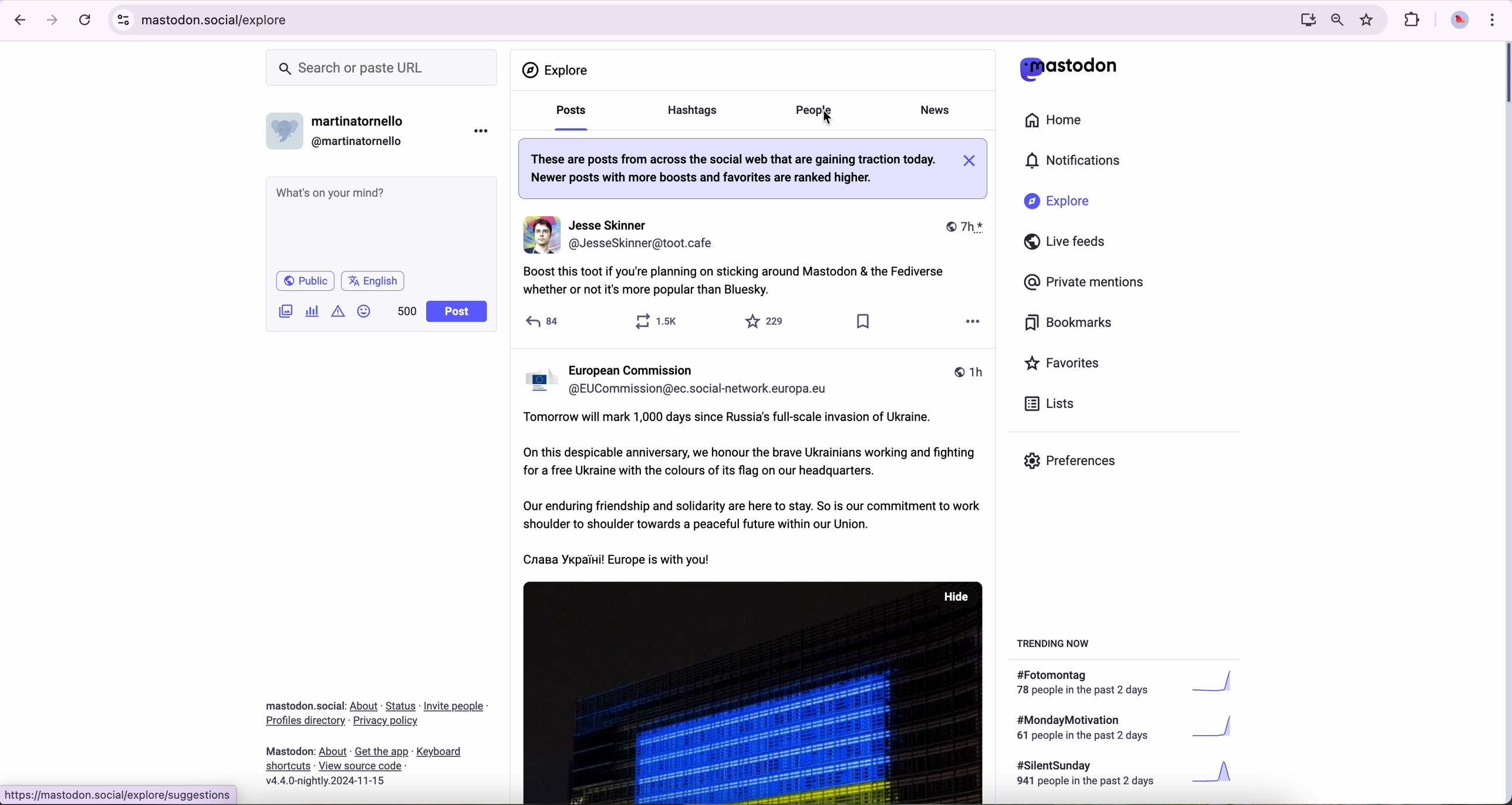  I want to click on username, so click(623, 234).